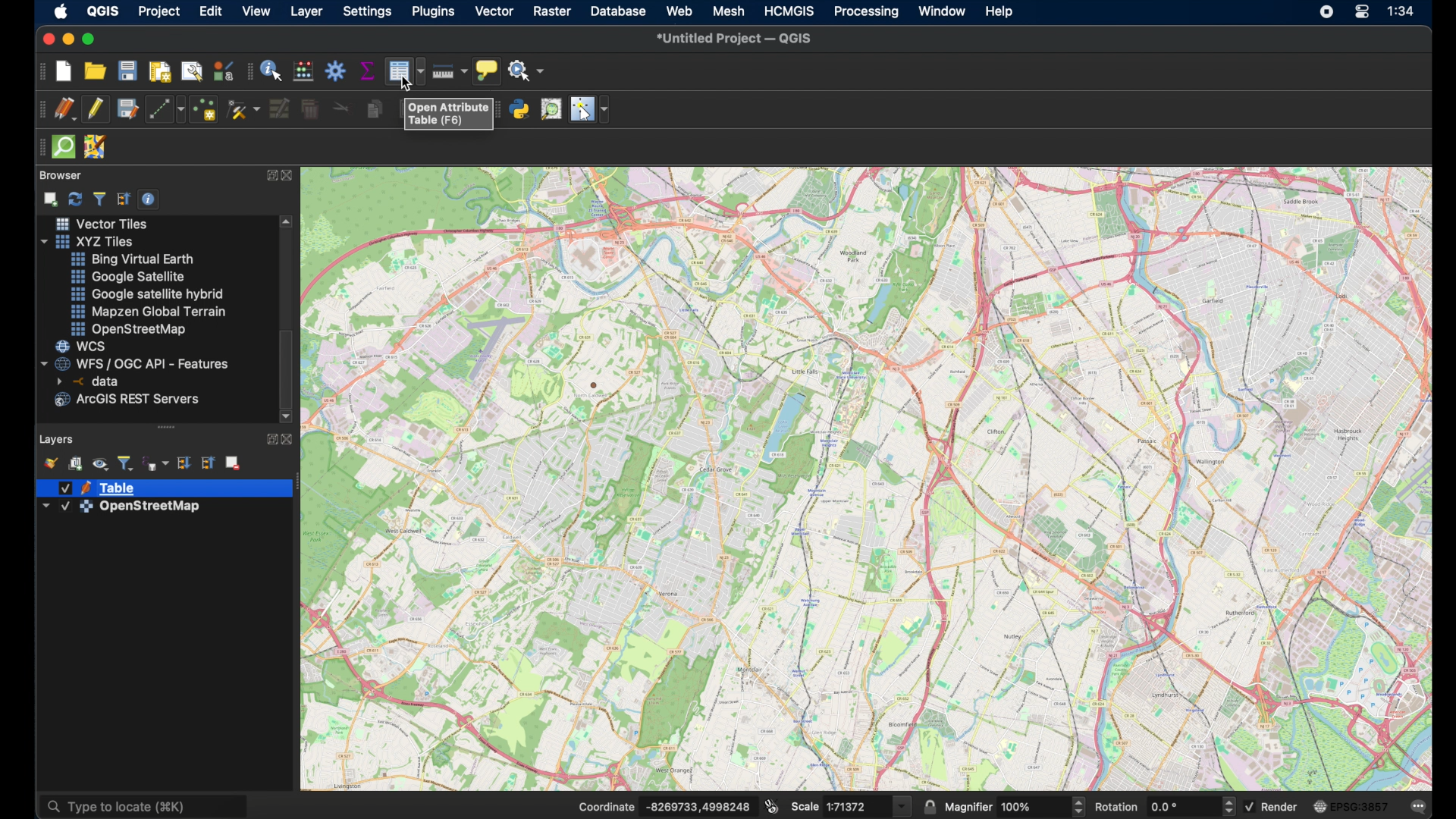  I want to click on collapse all, so click(208, 463).